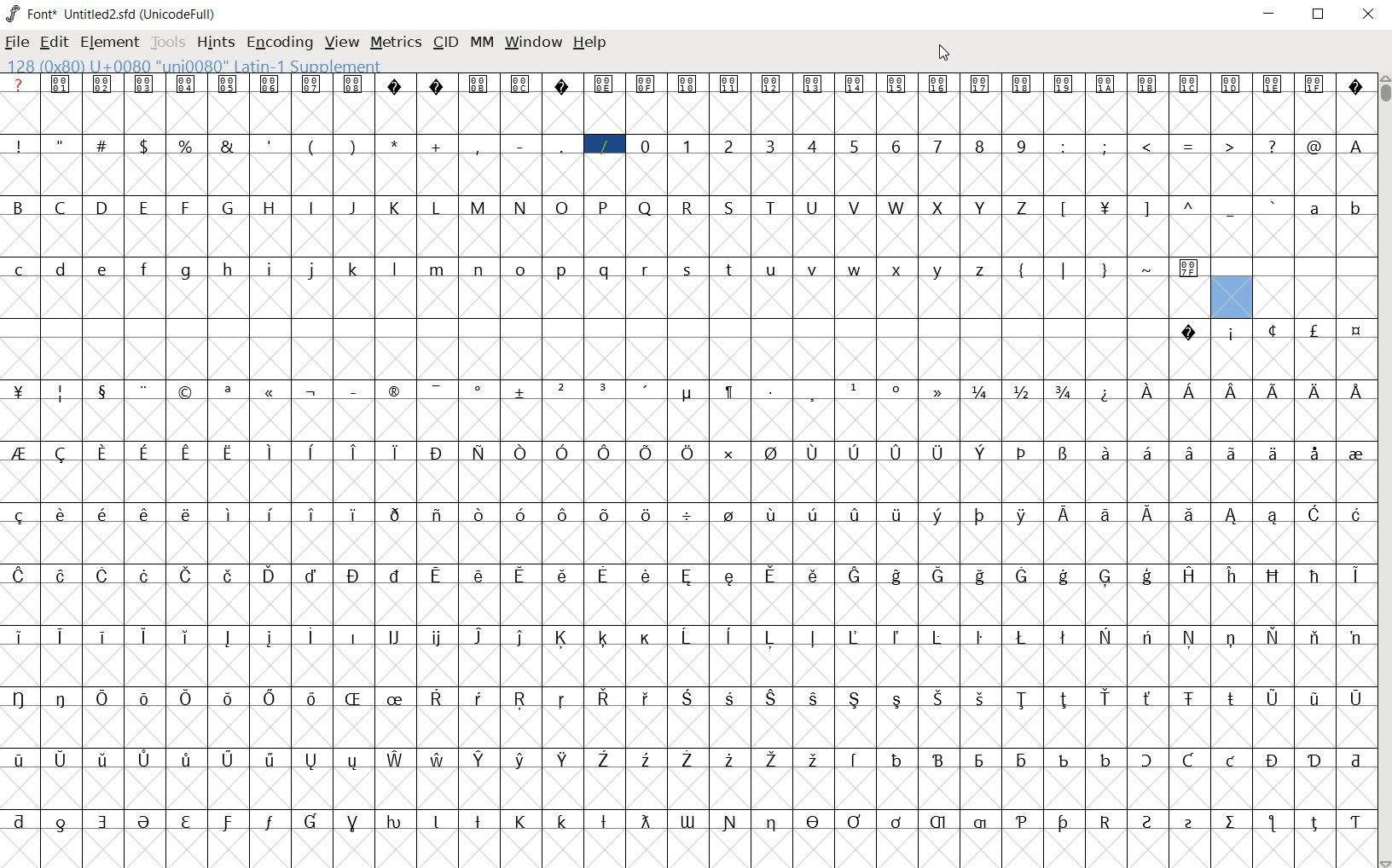  What do you see at coordinates (1314, 576) in the screenshot?
I see `glyph` at bounding box center [1314, 576].